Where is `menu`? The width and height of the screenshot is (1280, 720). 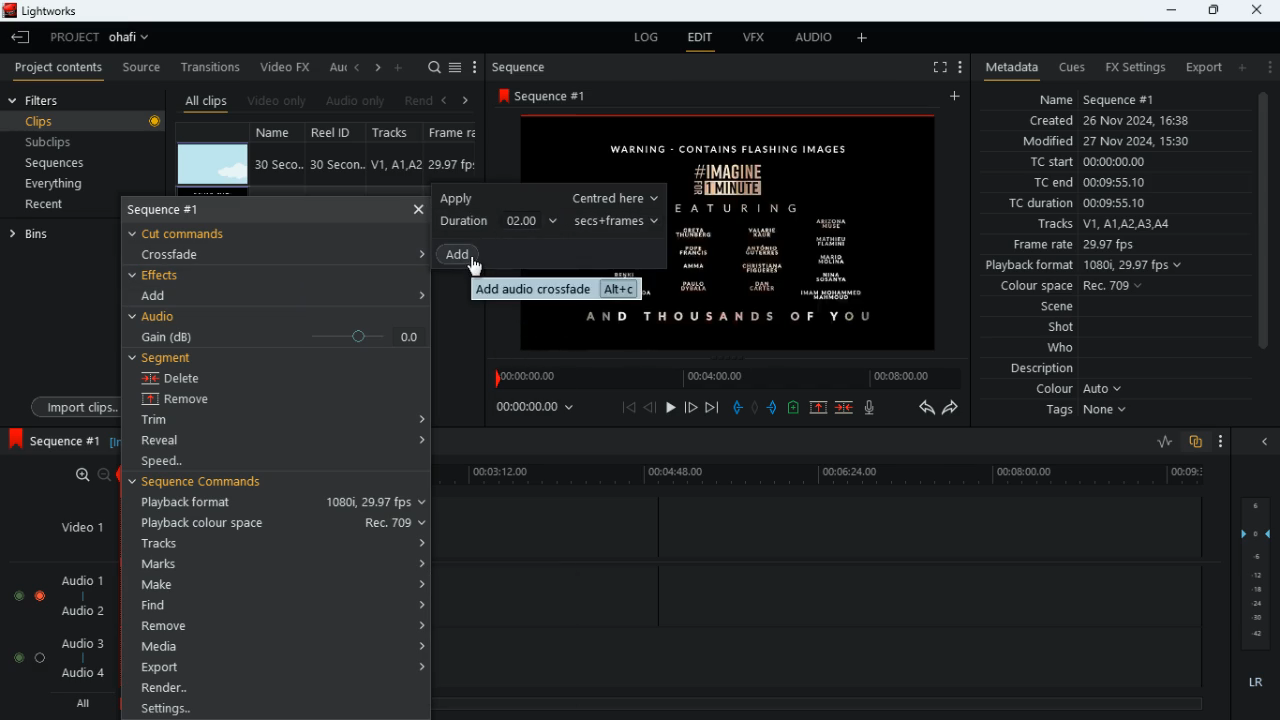
menu is located at coordinates (475, 68).